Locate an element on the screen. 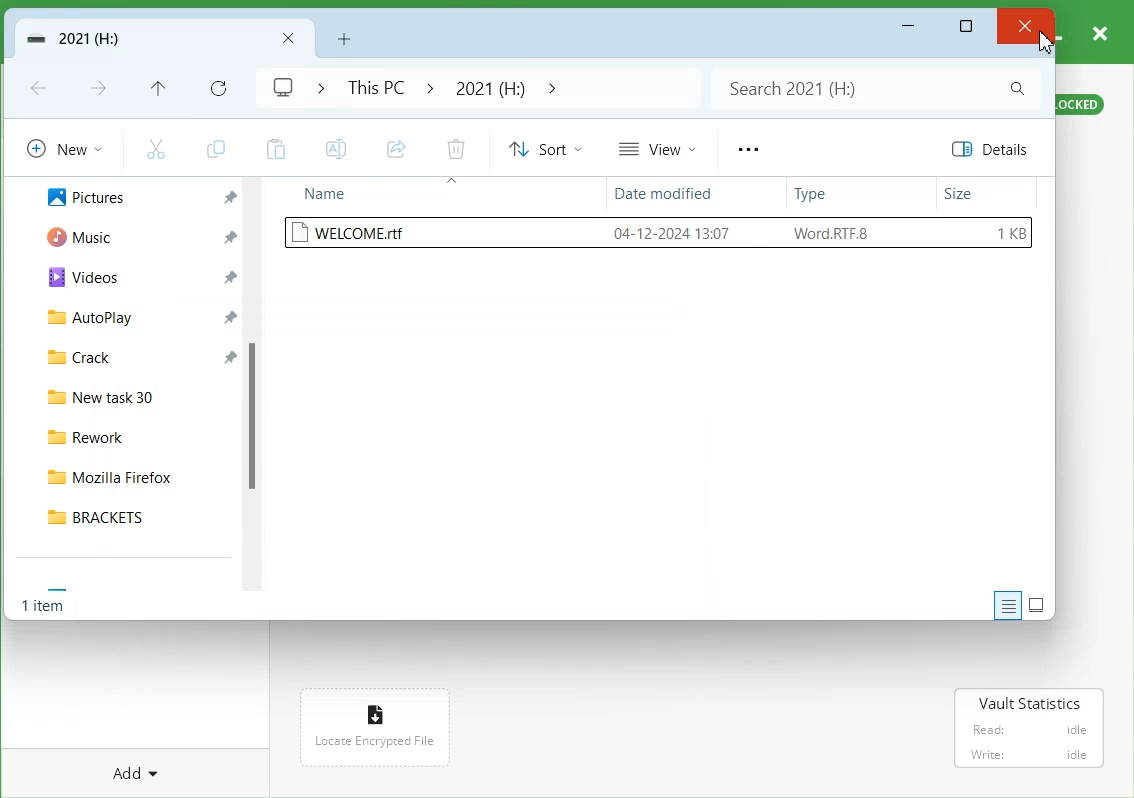 Image resolution: width=1134 pixels, height=798 pixels. Logo is located at coordinates (282, 88).